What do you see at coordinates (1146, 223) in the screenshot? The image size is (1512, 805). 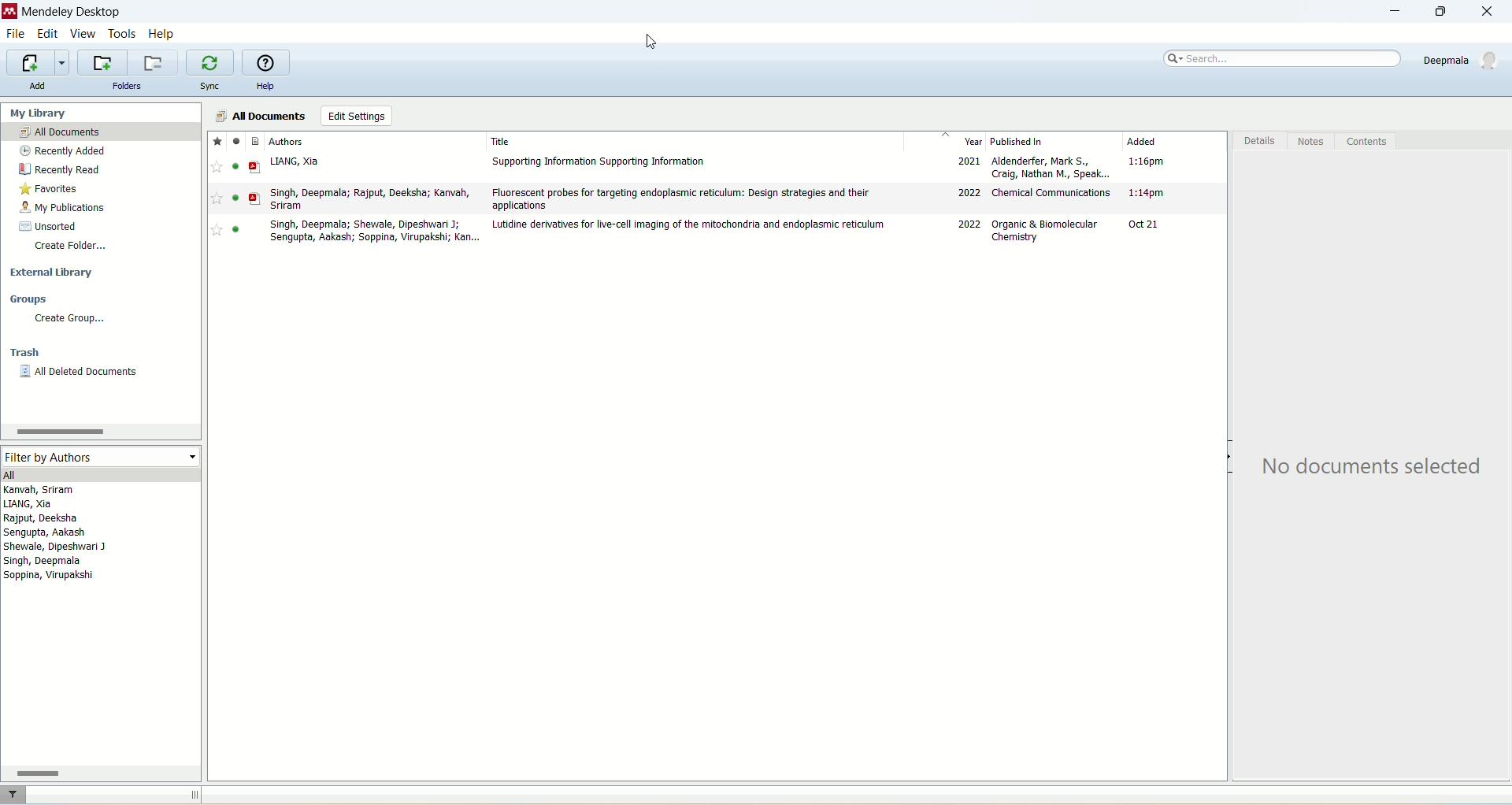 I see `Oct 21` at bounding box center [1146, 223].